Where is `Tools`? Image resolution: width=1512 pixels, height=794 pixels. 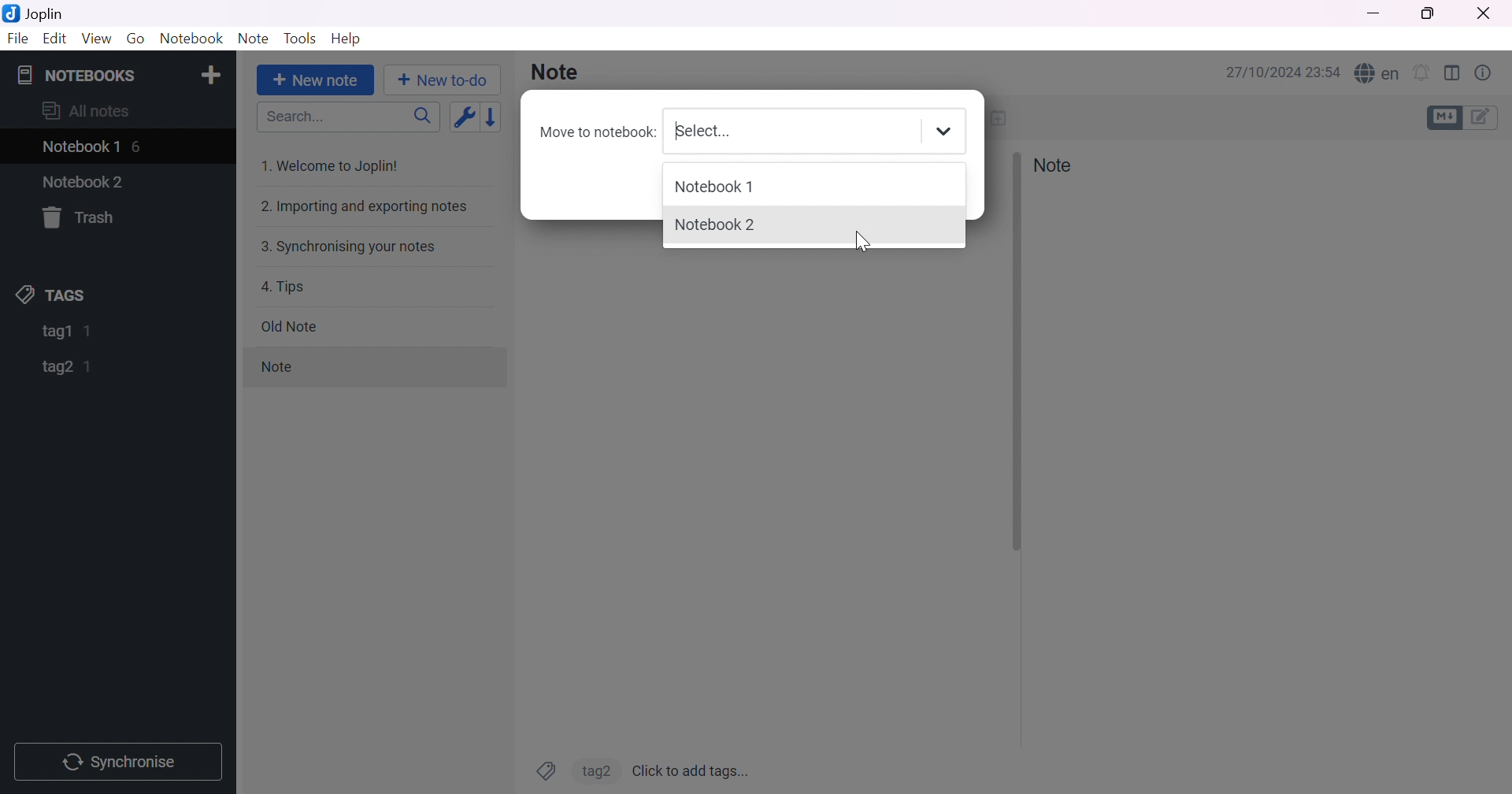
Tools is located at coordinates (298, 38).